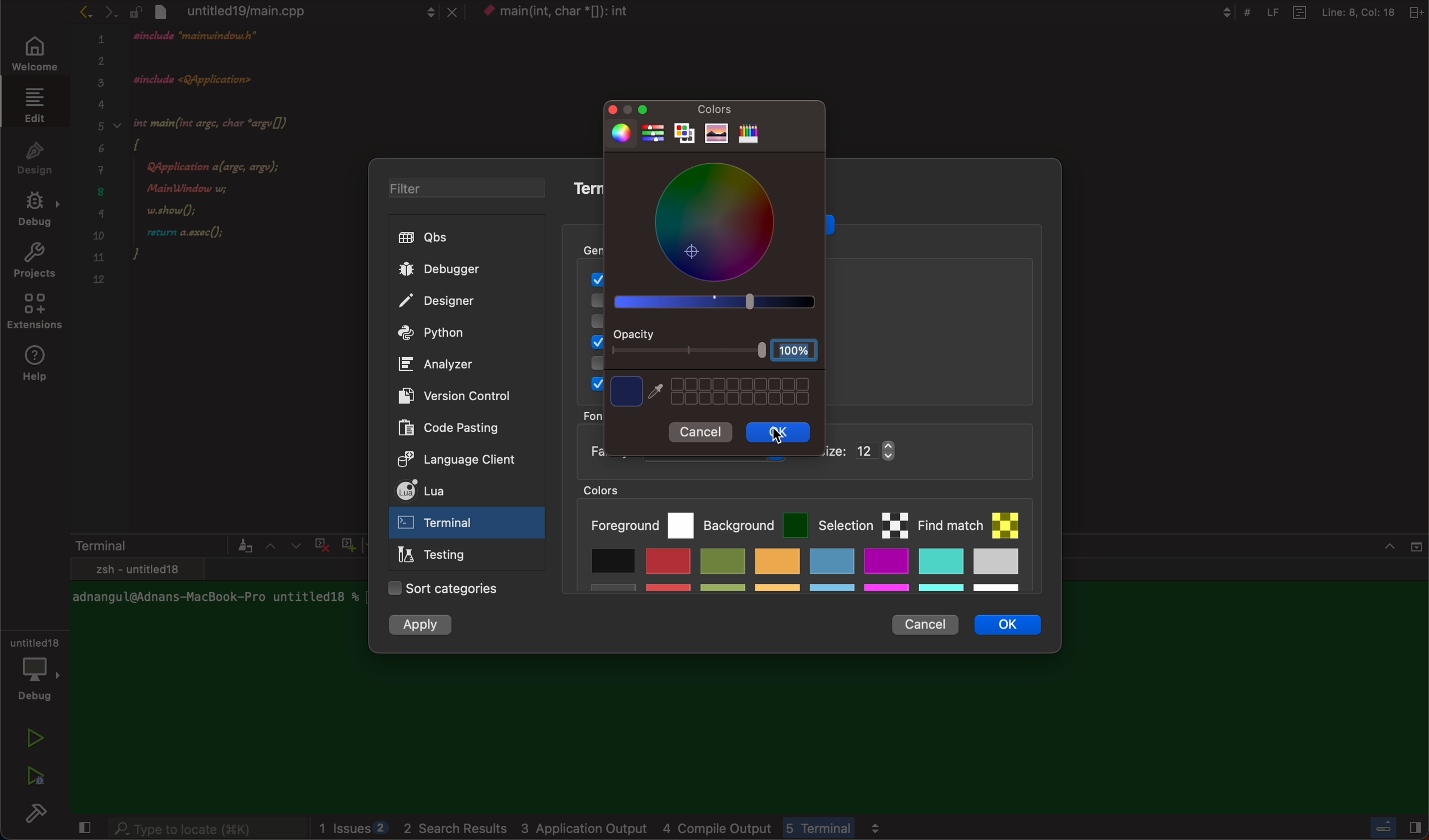 This screenshot has width=1429, height=840. I want to click on file information, so click(1313, 12).